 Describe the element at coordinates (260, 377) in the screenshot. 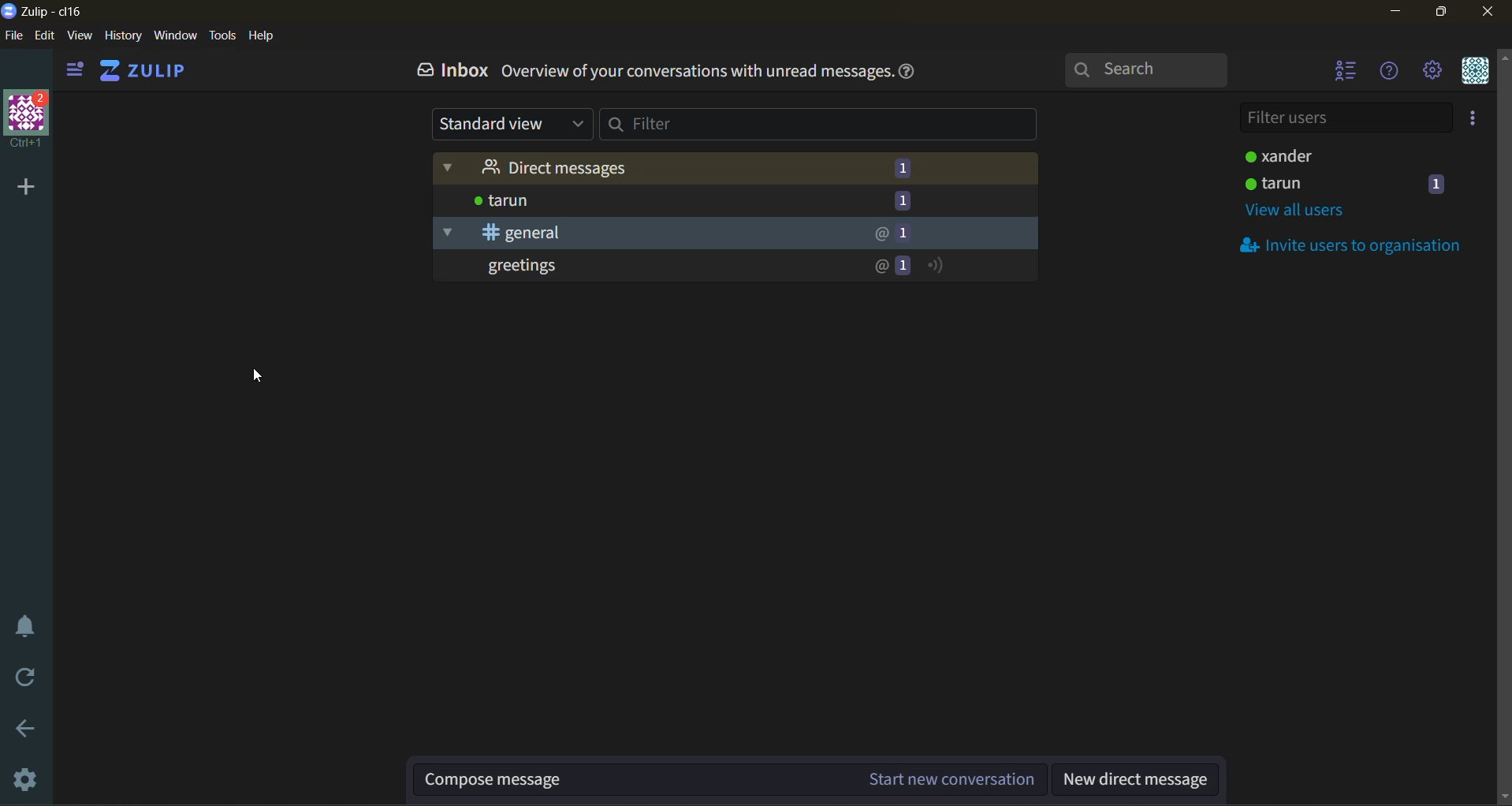

I see `Cursor` at that location.